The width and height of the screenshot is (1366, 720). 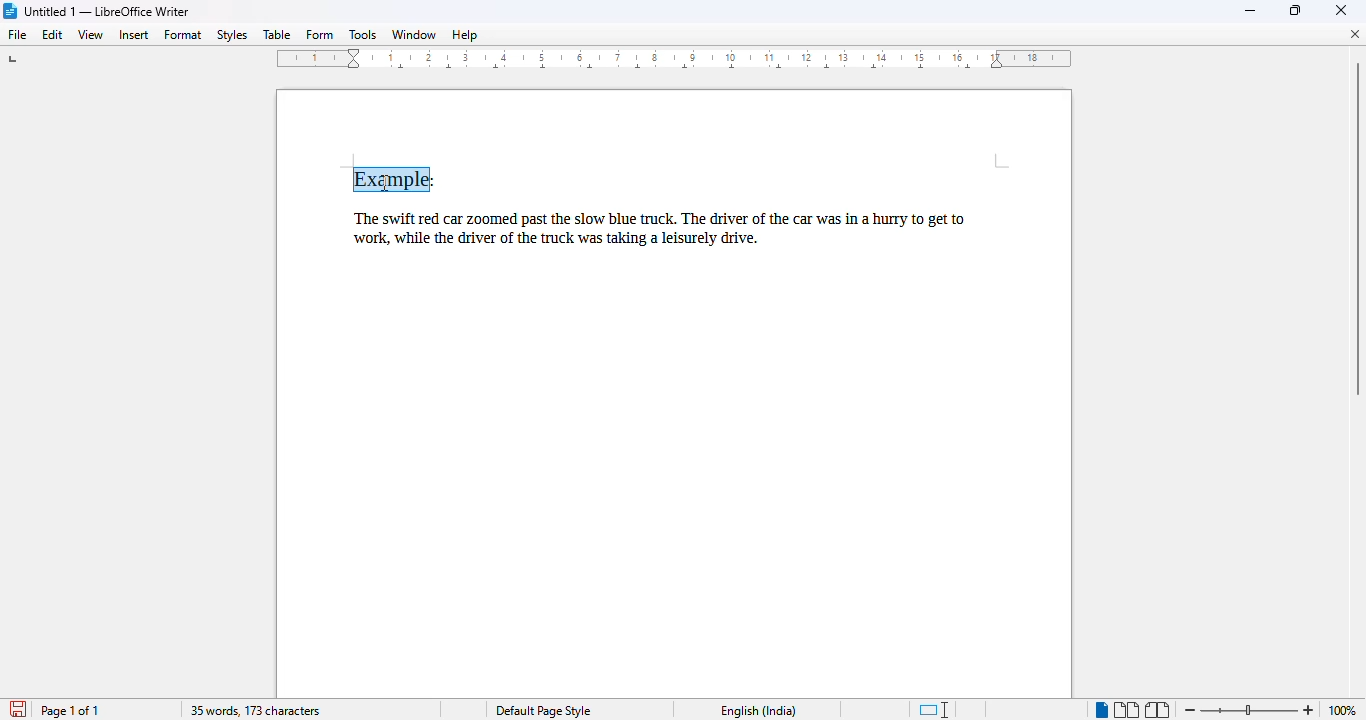 What do you see at coordinates (385, 184) in the screenshot?
I see `cursor` at bounding box center [385, 184].